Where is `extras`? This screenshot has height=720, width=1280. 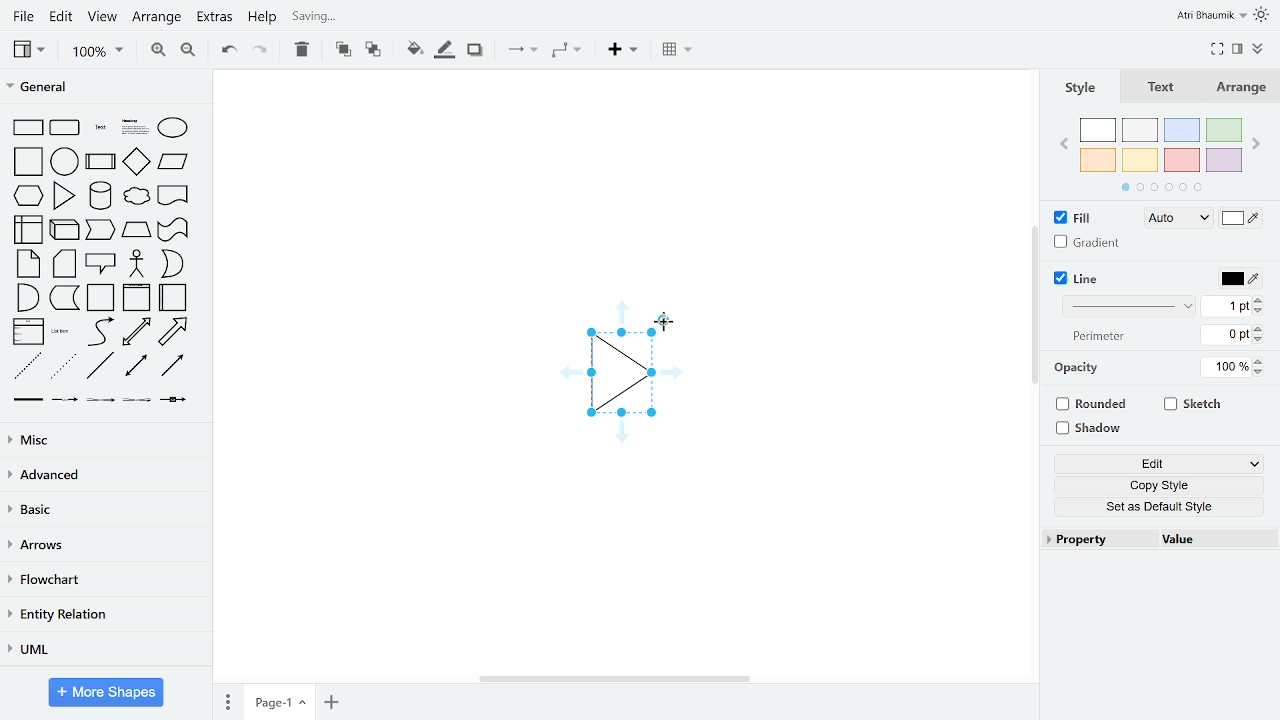
extras is located at coordinates (214, 18).